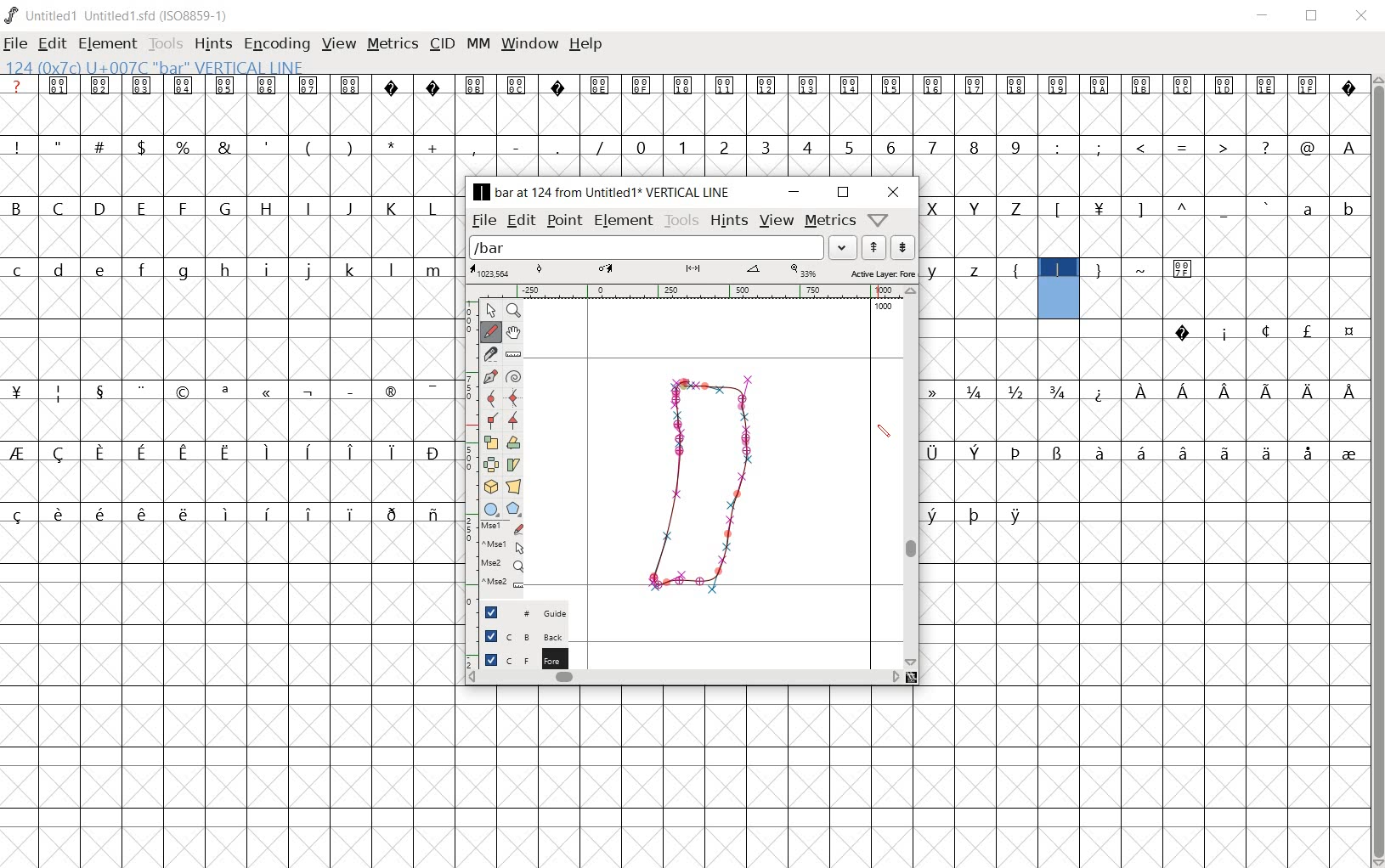 This screenshot has width=1385, height=868. Describe the element at coordinates (564, 219) in the screenshot. I see `point` at that location.